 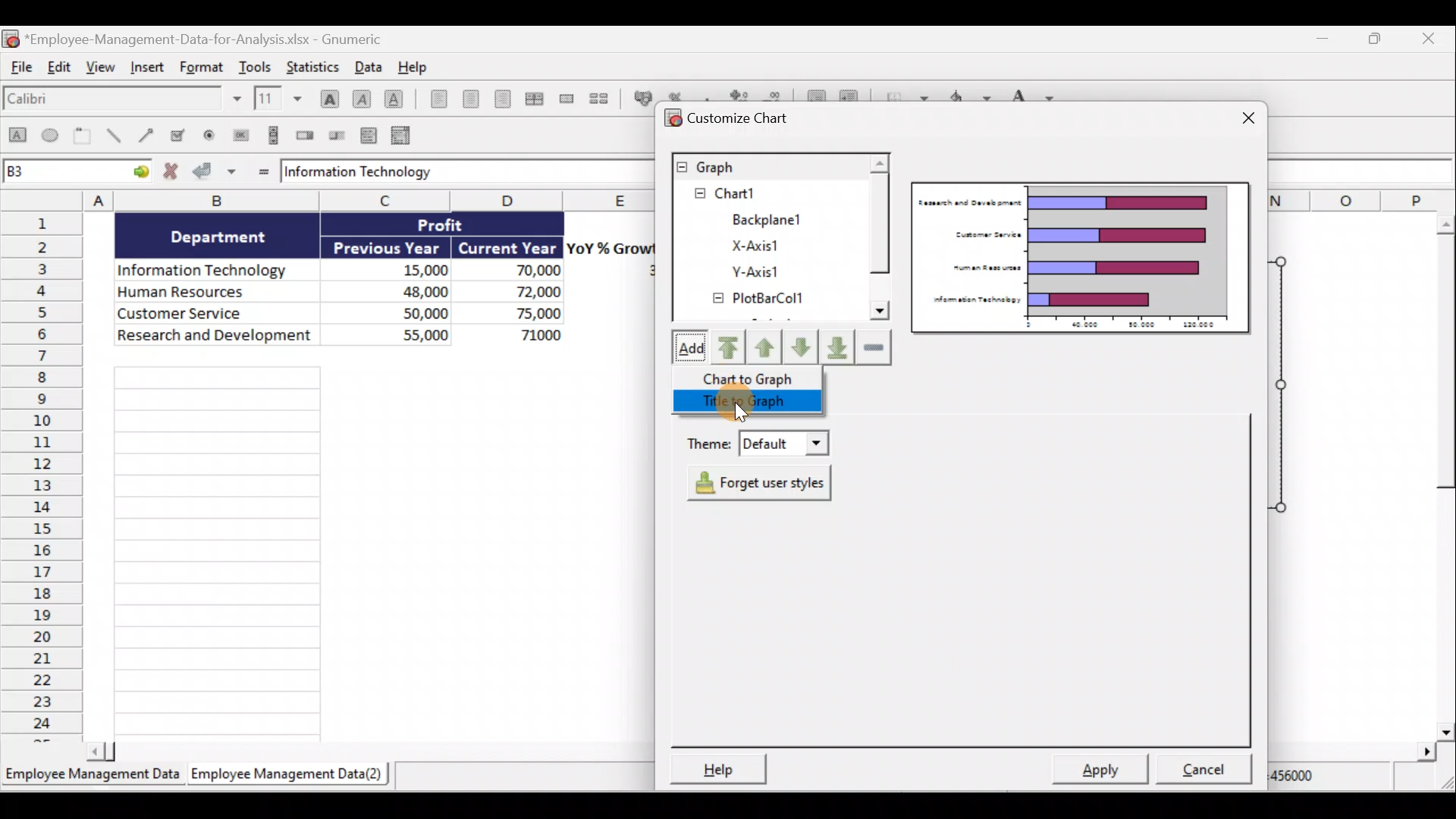 What do you see at coordinates (113, 137) in the screenshot?
I see `Create a line object` at bounding box center [113, 137].